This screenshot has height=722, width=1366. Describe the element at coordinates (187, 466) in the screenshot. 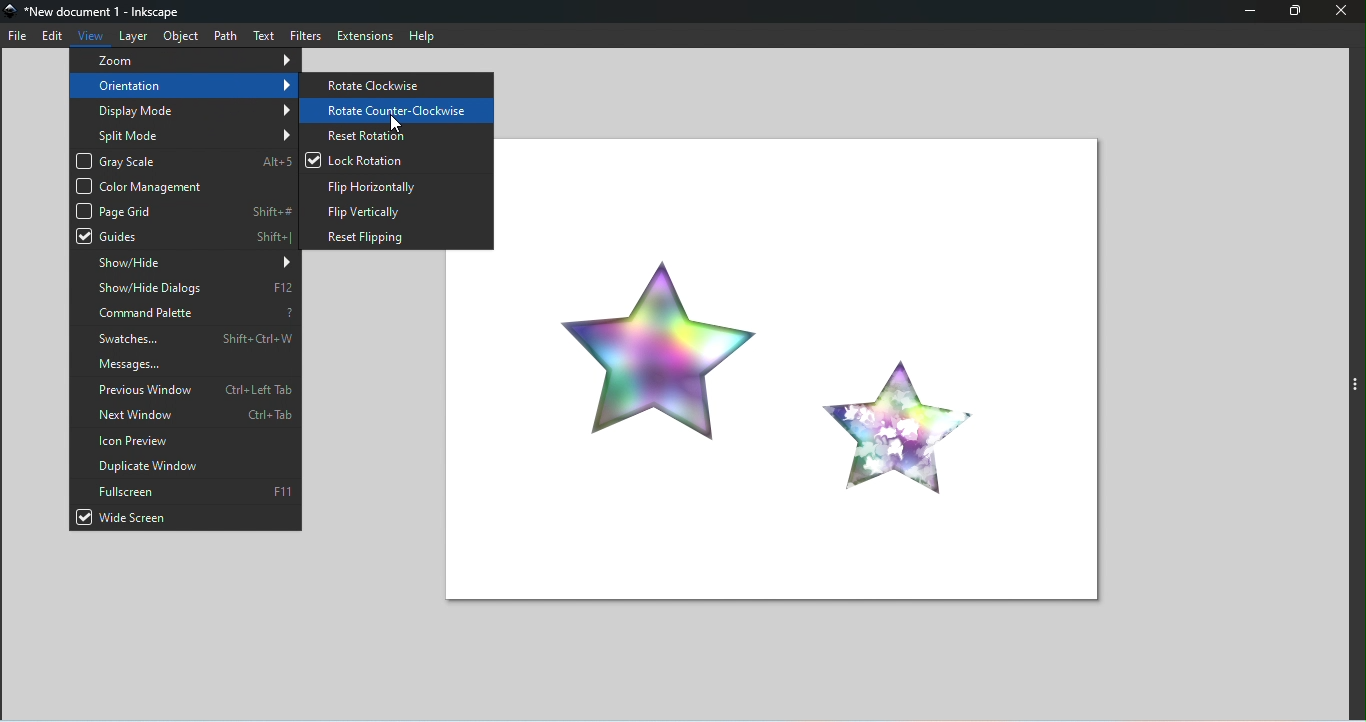

I see `Duplicate window` at that location.